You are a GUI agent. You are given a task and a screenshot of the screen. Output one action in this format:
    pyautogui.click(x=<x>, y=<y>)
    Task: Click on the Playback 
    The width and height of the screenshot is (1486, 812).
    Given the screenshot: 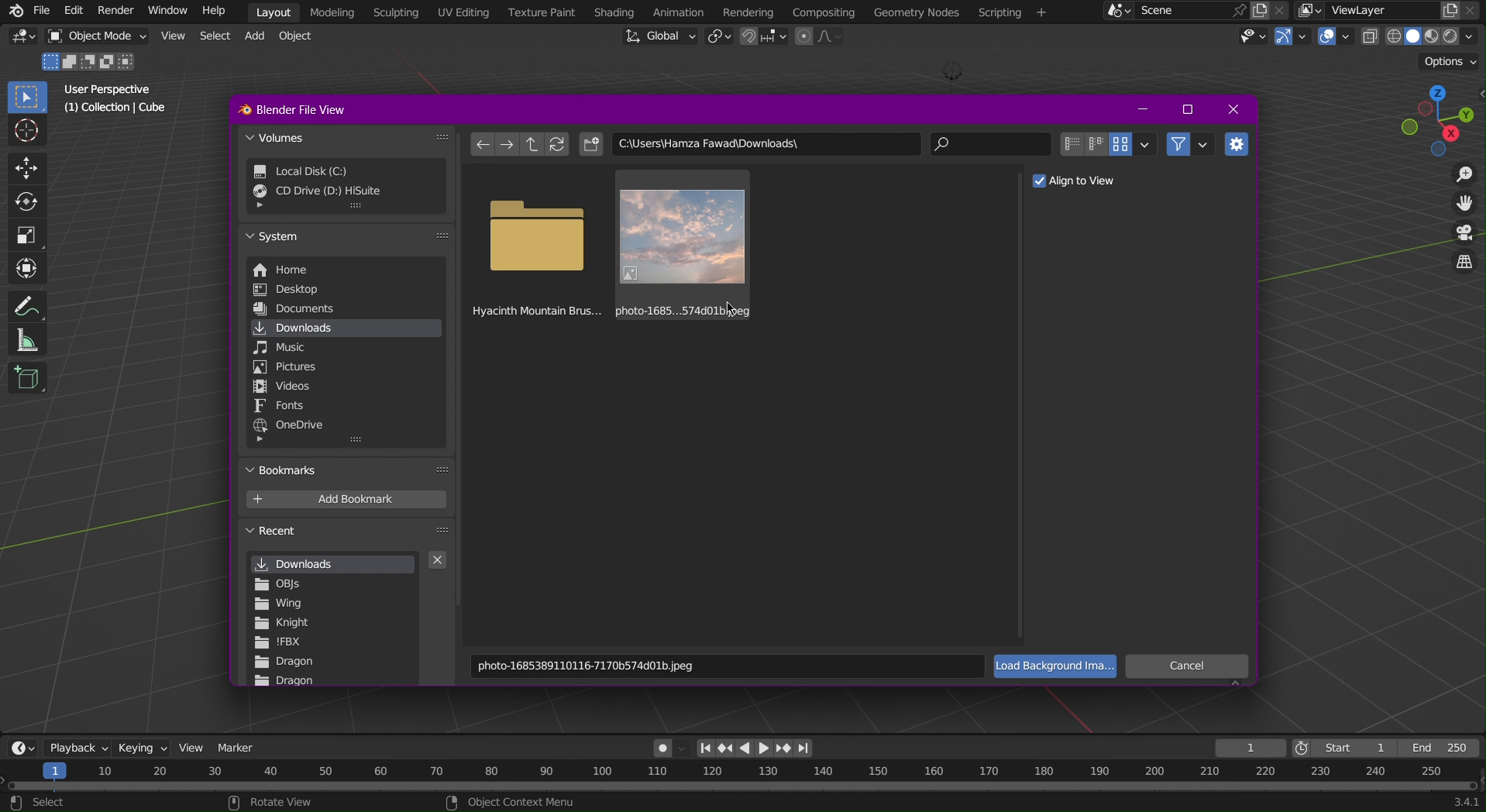 What is the action you would take?
    pyautogui.click(x=78, y=746)
    